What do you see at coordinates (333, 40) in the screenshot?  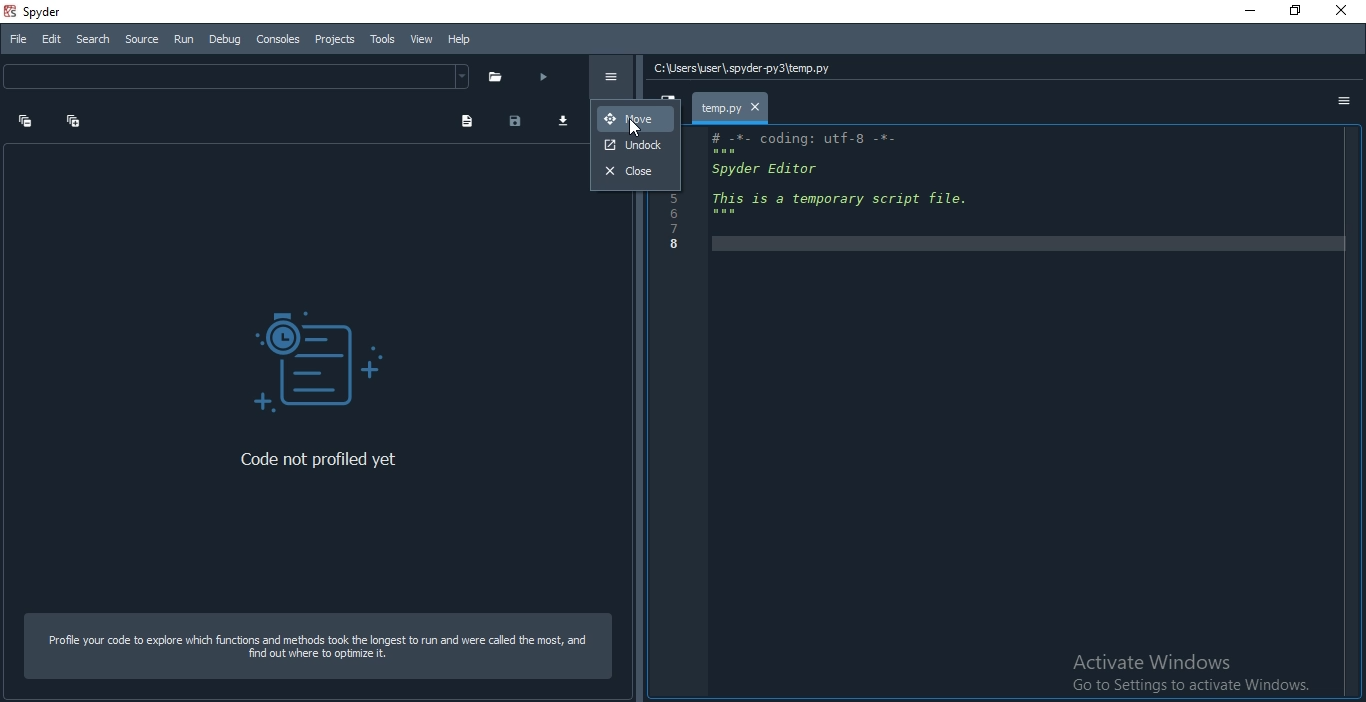 I see `Projects` at bounding box center [333, 40].